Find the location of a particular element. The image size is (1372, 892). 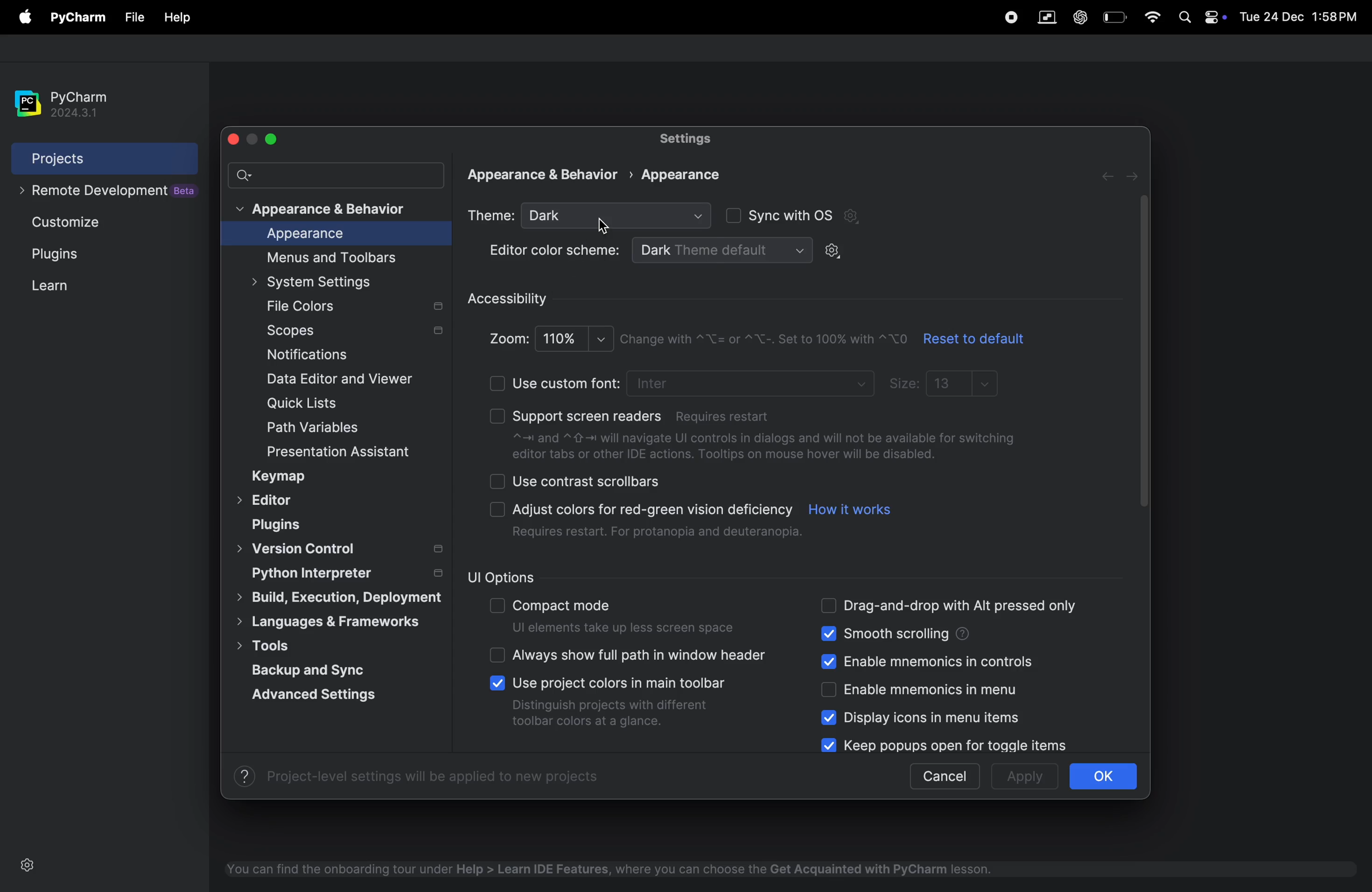

python interpreter is located at coordinates (341, 574).